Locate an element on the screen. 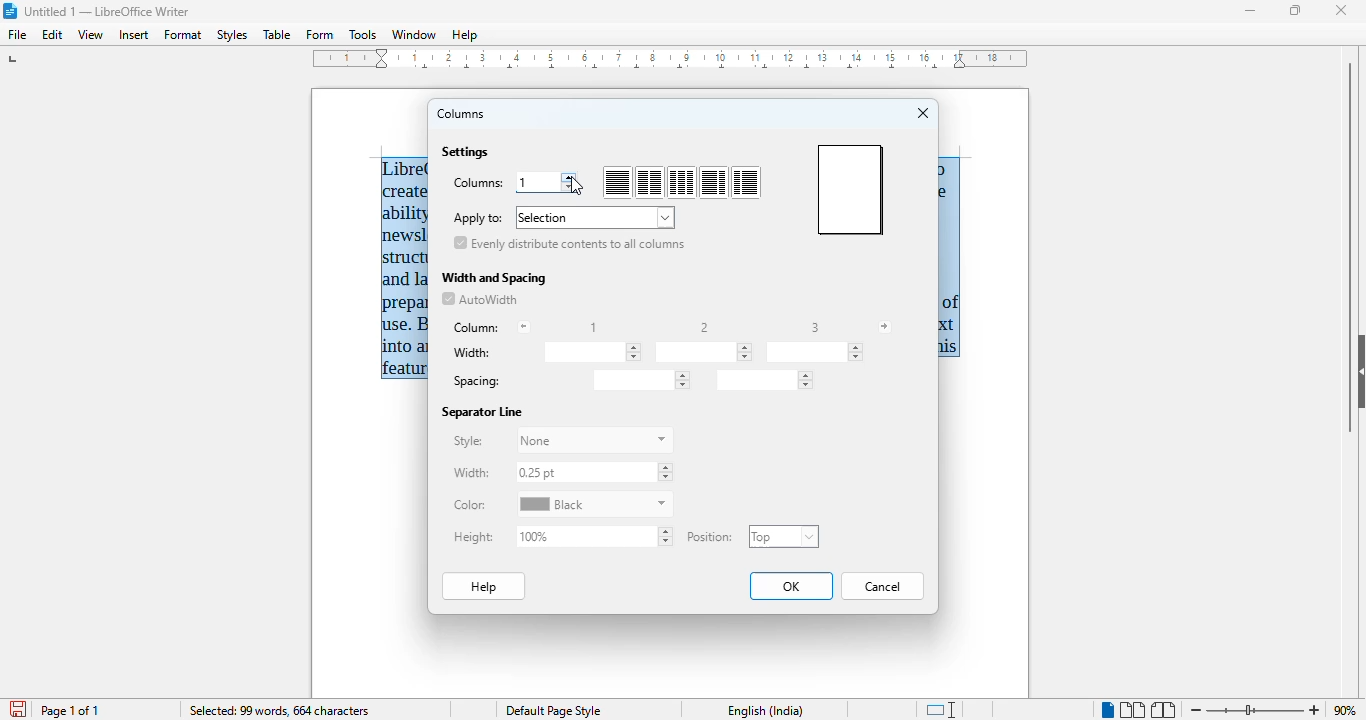  black is located at coordinates (595, 504).